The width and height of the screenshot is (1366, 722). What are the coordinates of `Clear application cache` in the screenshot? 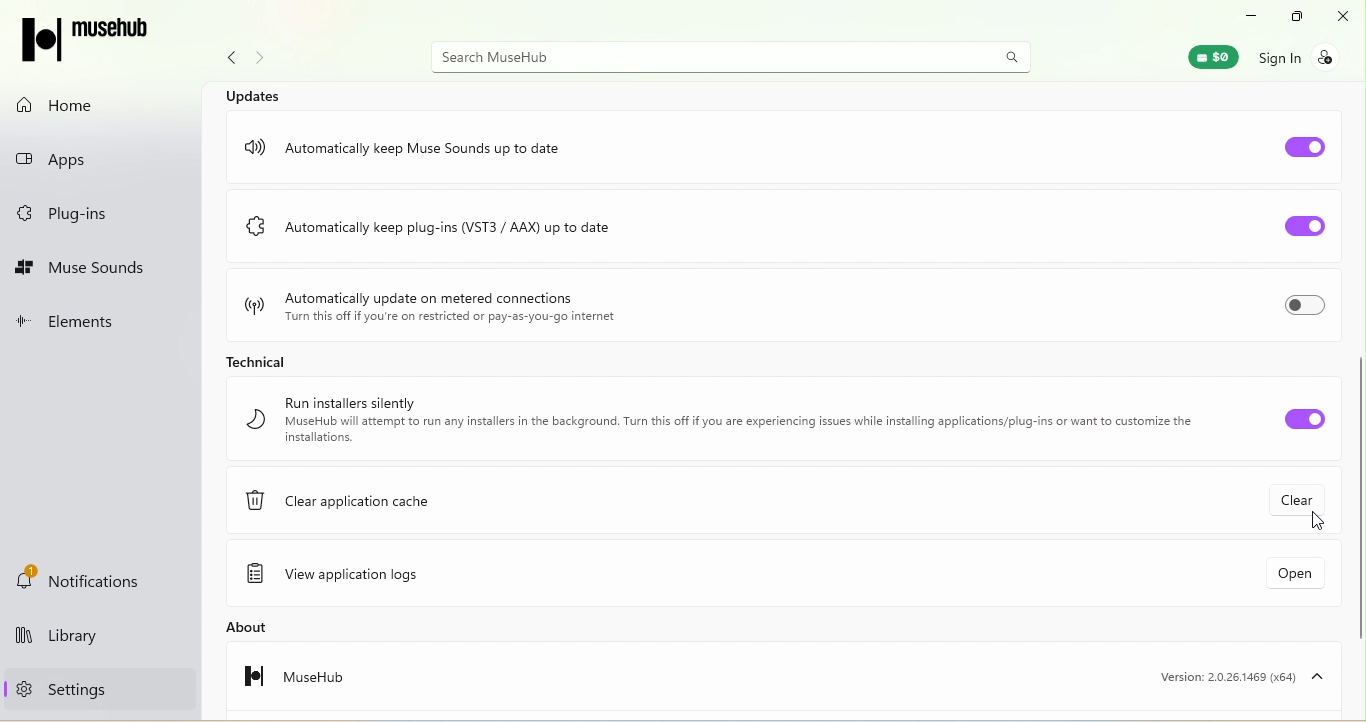 It's located at (352, 506).